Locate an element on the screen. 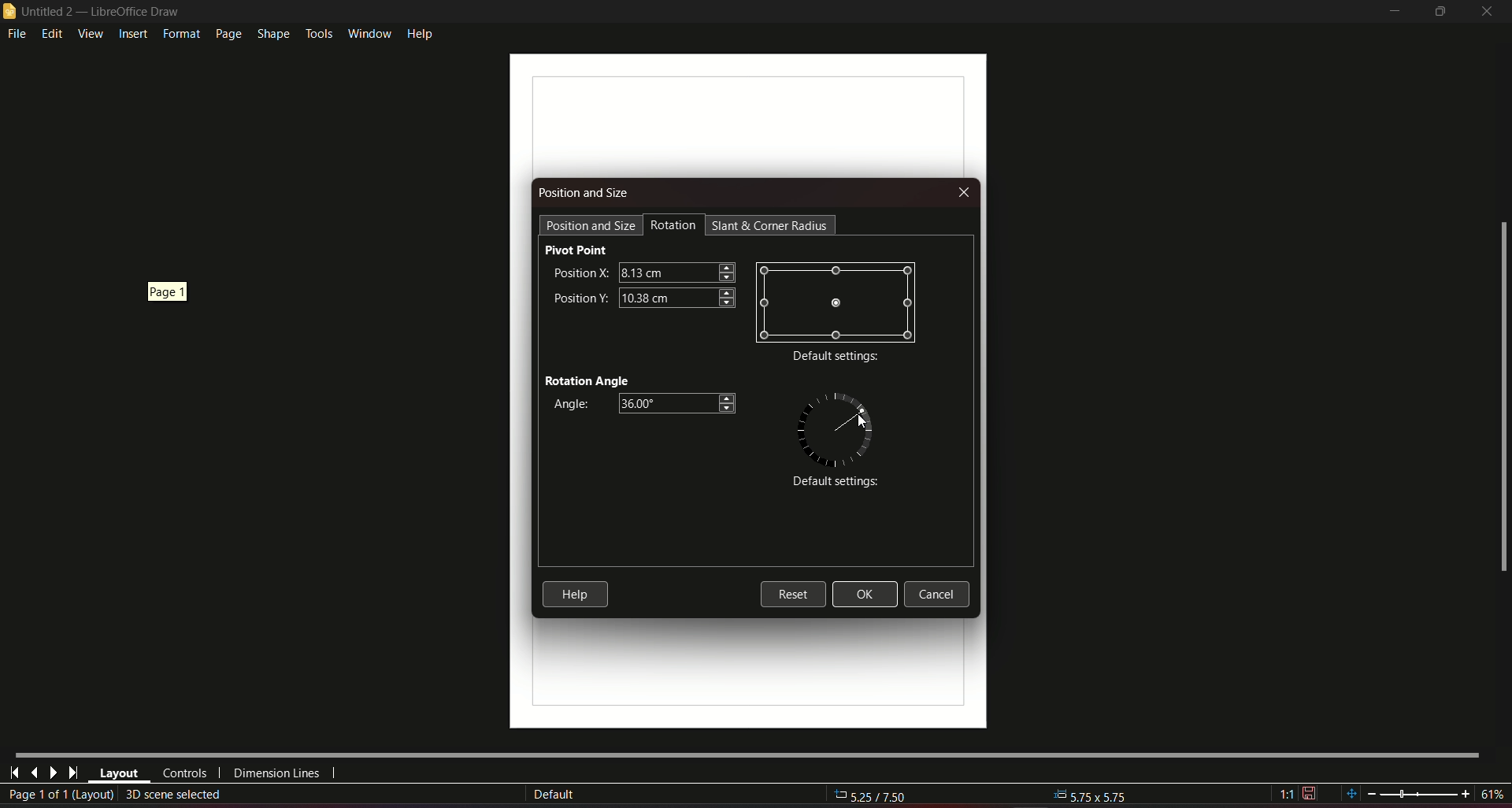  Rotation is located at coordinates (674, 225).